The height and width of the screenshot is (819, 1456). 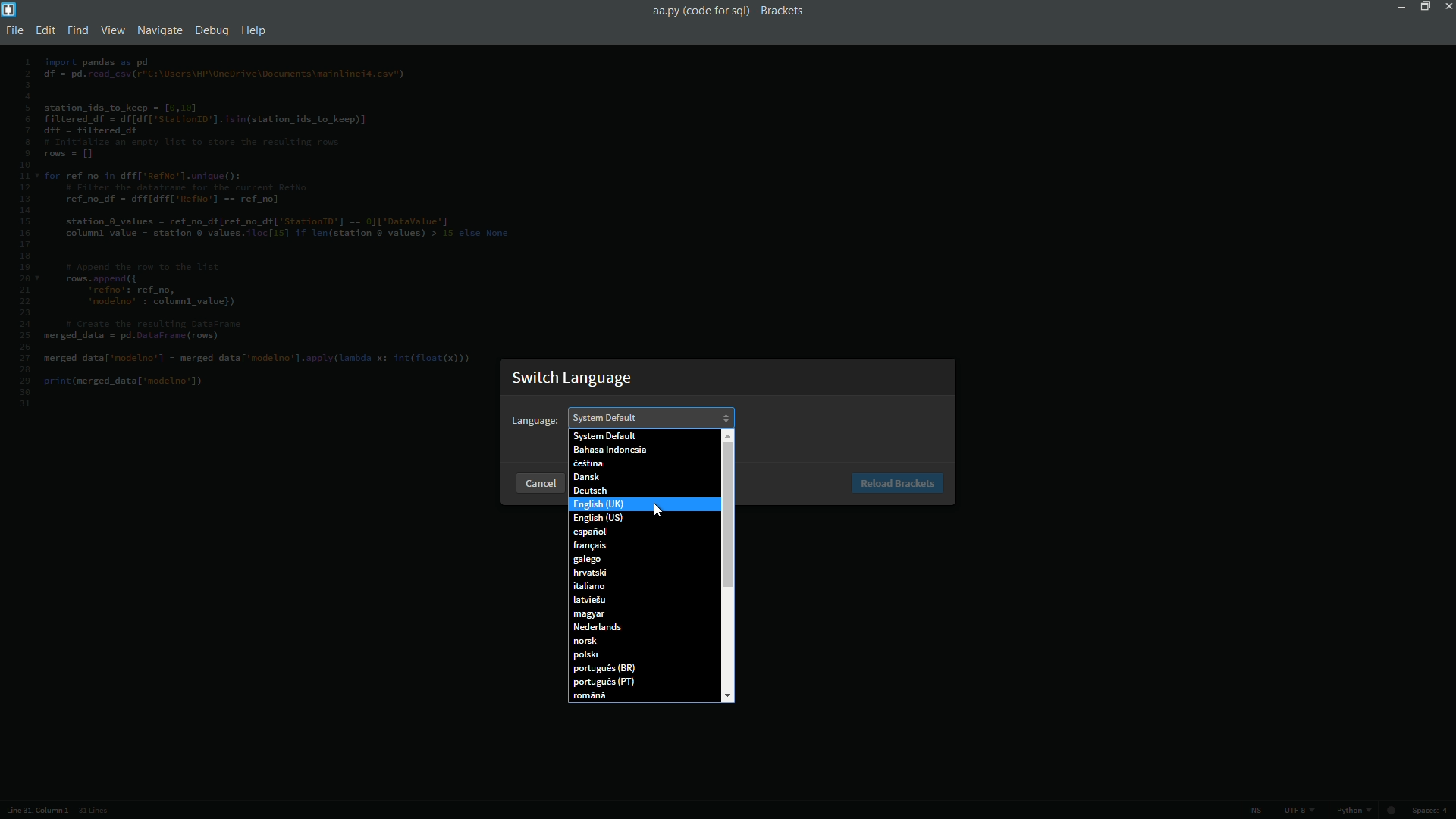 What do you see at coordinates (212, 30) in the screenshot?
I see `debug menu` at bounding box center [212, 30].